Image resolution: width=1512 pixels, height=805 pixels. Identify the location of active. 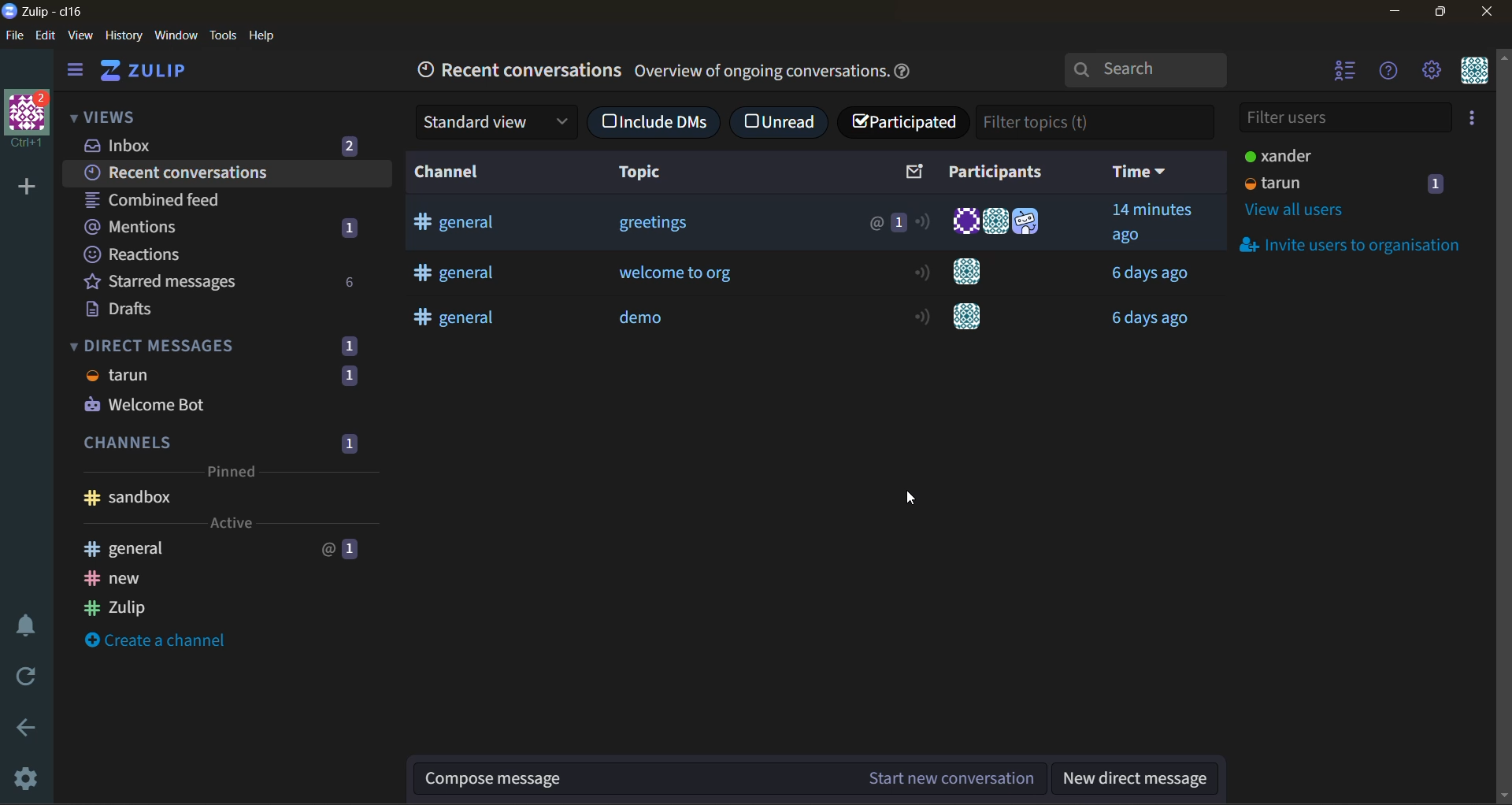
(231, 525).